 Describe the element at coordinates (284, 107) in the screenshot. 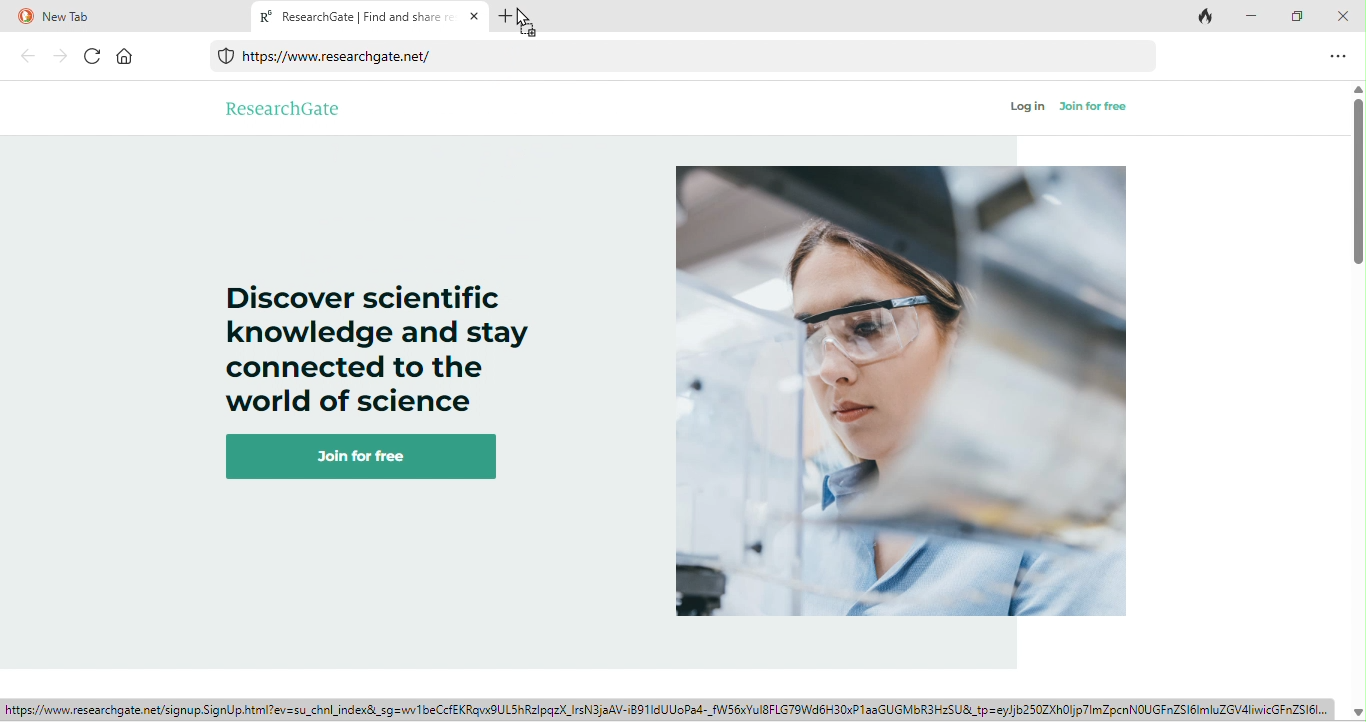

I see `research gate` at that location.